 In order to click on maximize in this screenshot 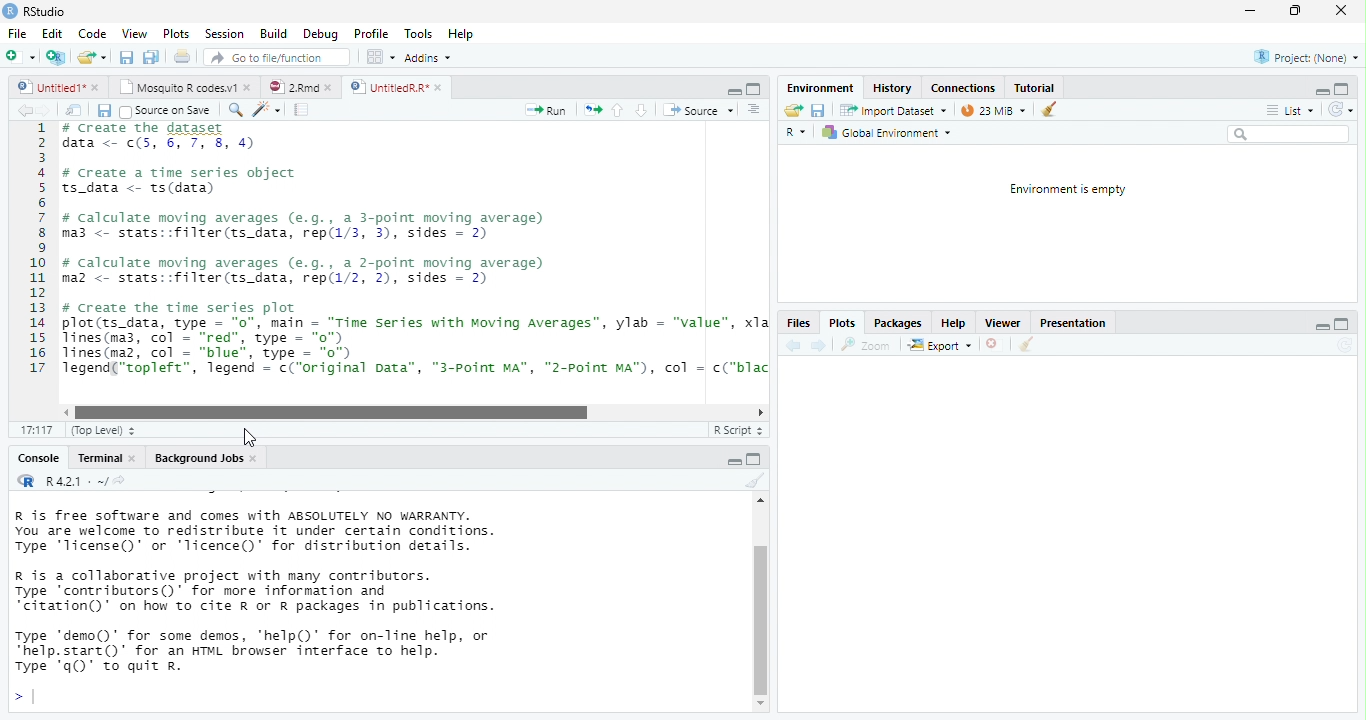, I will do `click(754, 89)`.